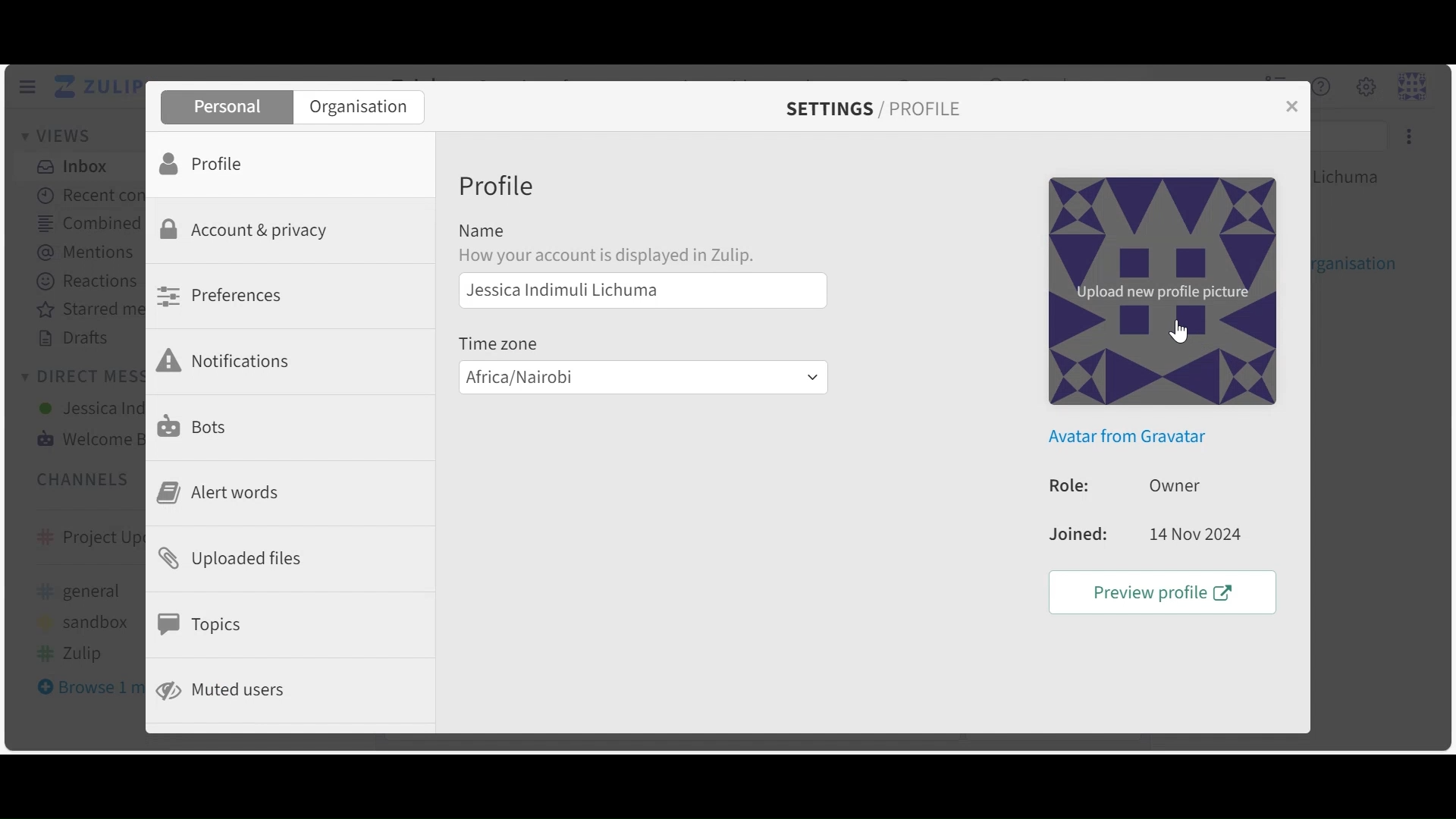  I want to click on Preferences, so click(218, 295).